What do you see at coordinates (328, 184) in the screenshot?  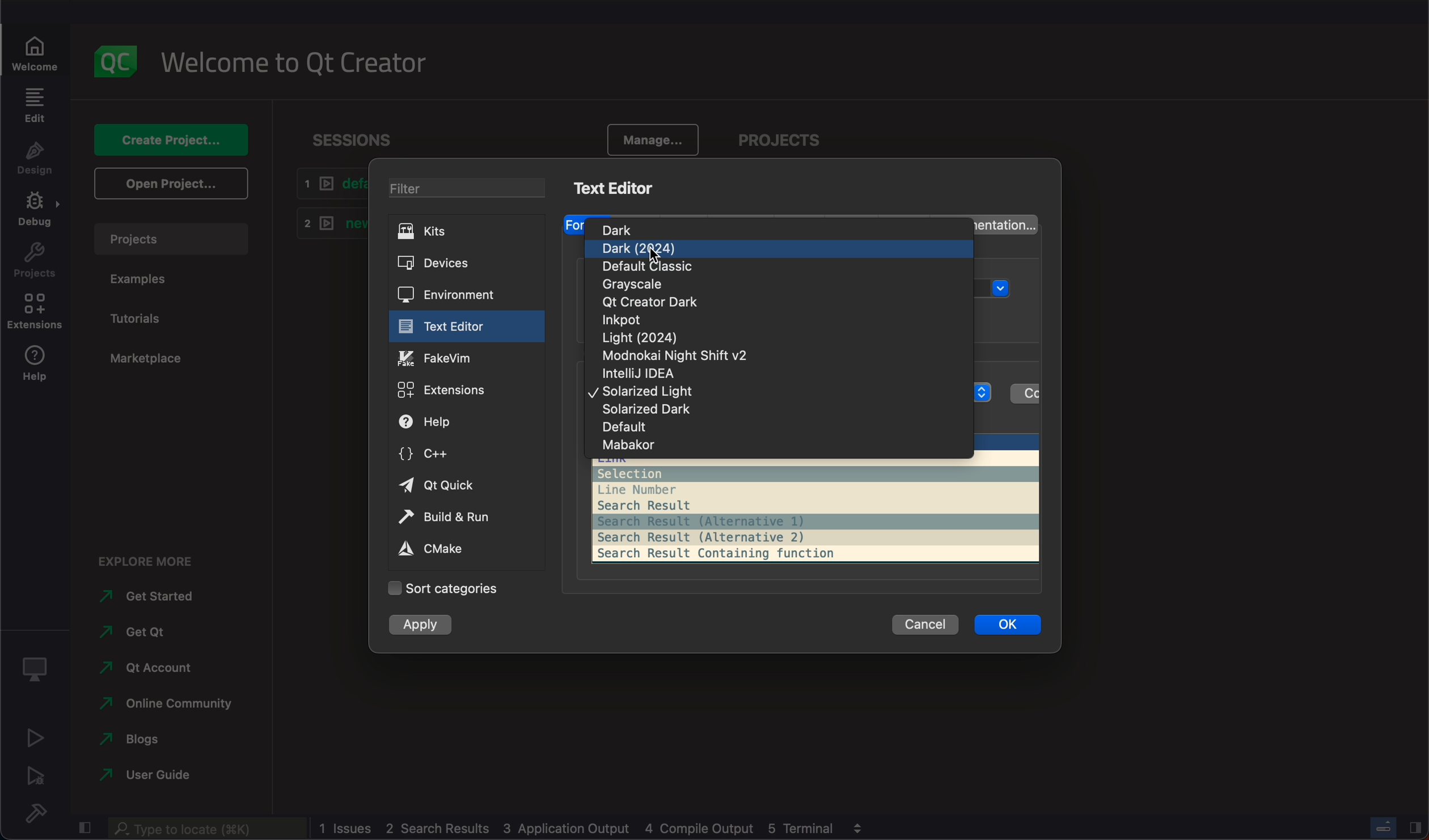 I see `default` at bounding box center [328, 184].